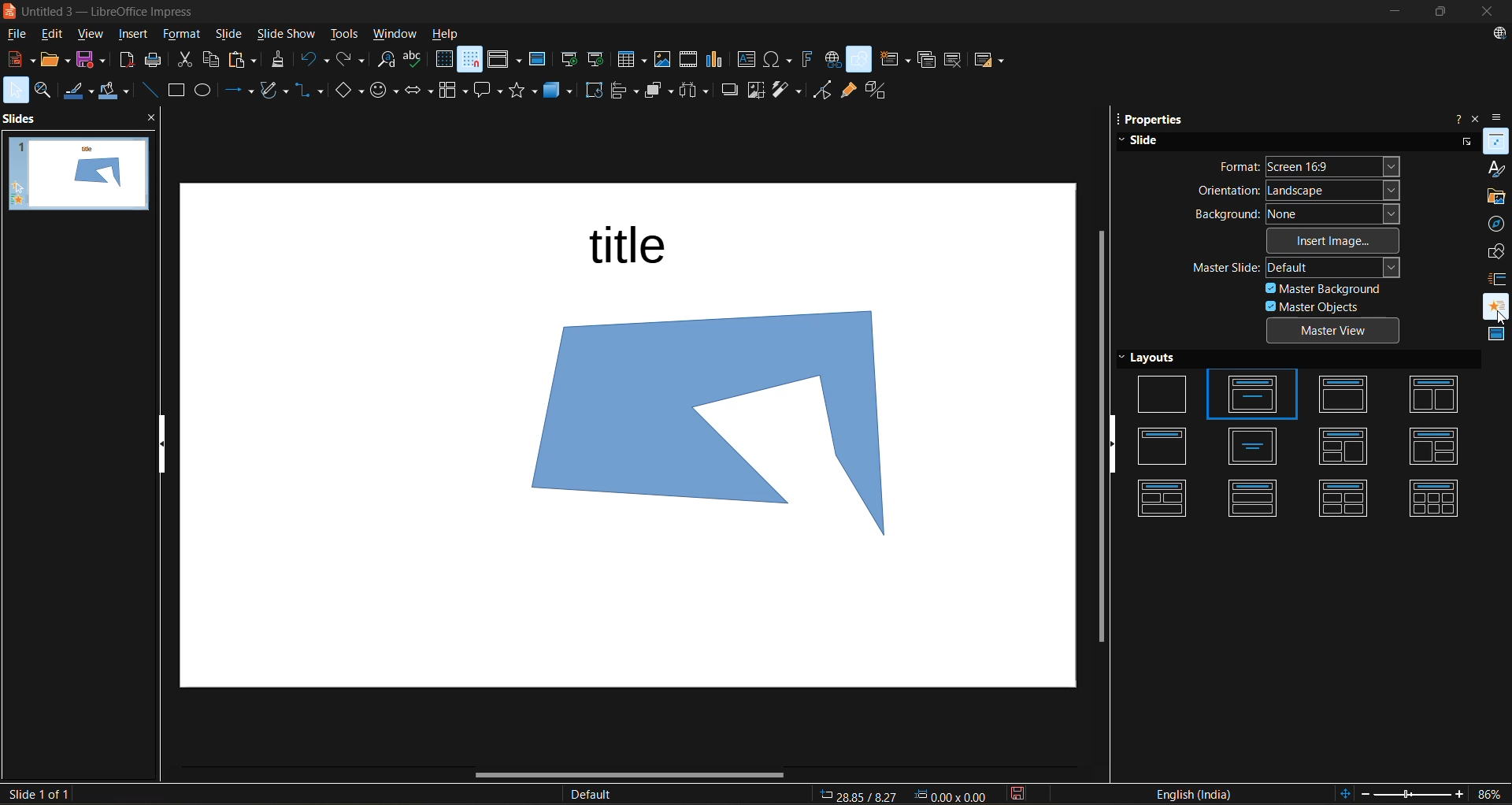 The image size is (1512, 805). What do you see at coordinates (1203, 793) in the screenshot?
I see `text language` at bounding box center [1203, 793].